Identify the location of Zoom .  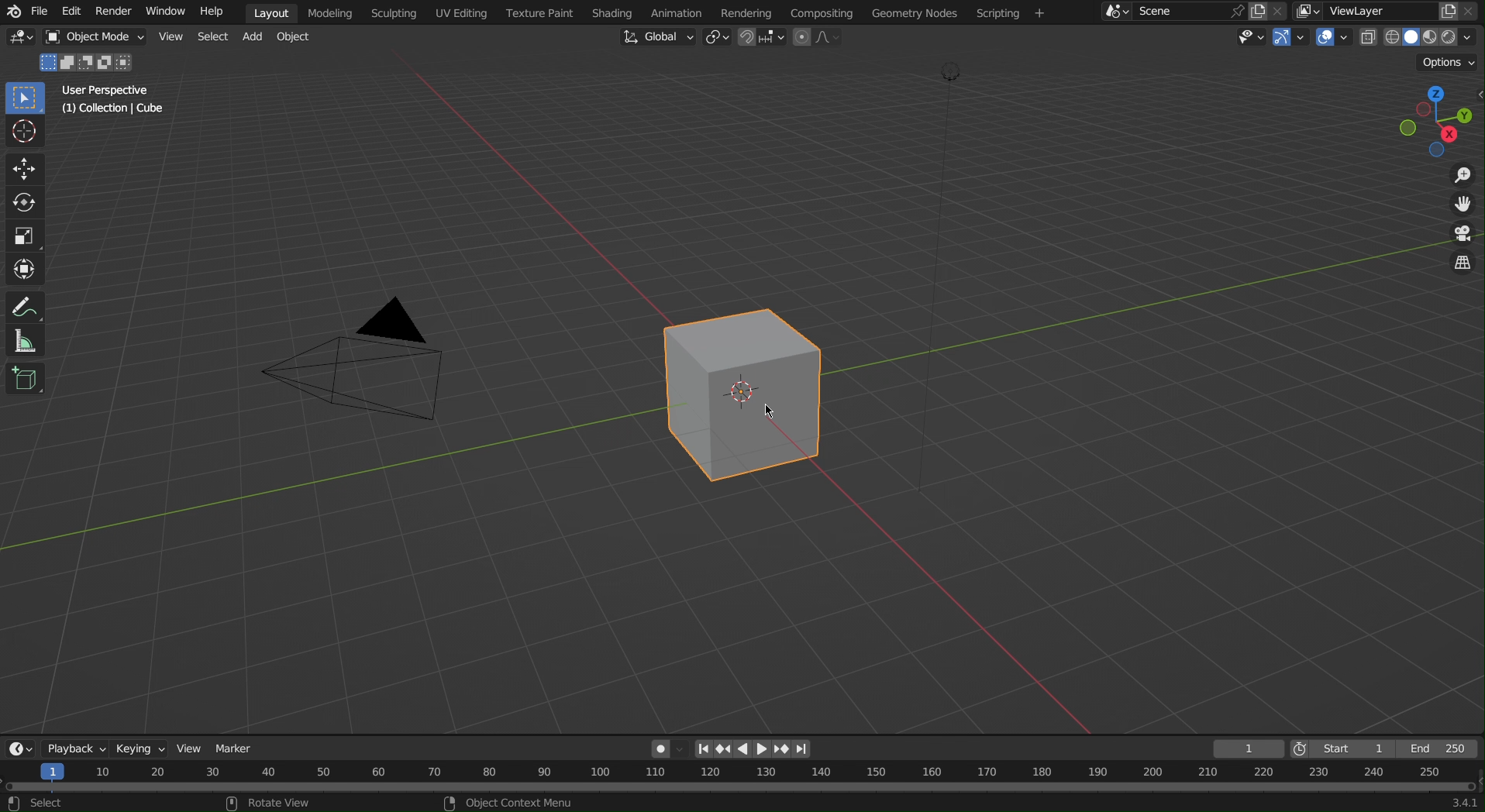
(1465, 174).